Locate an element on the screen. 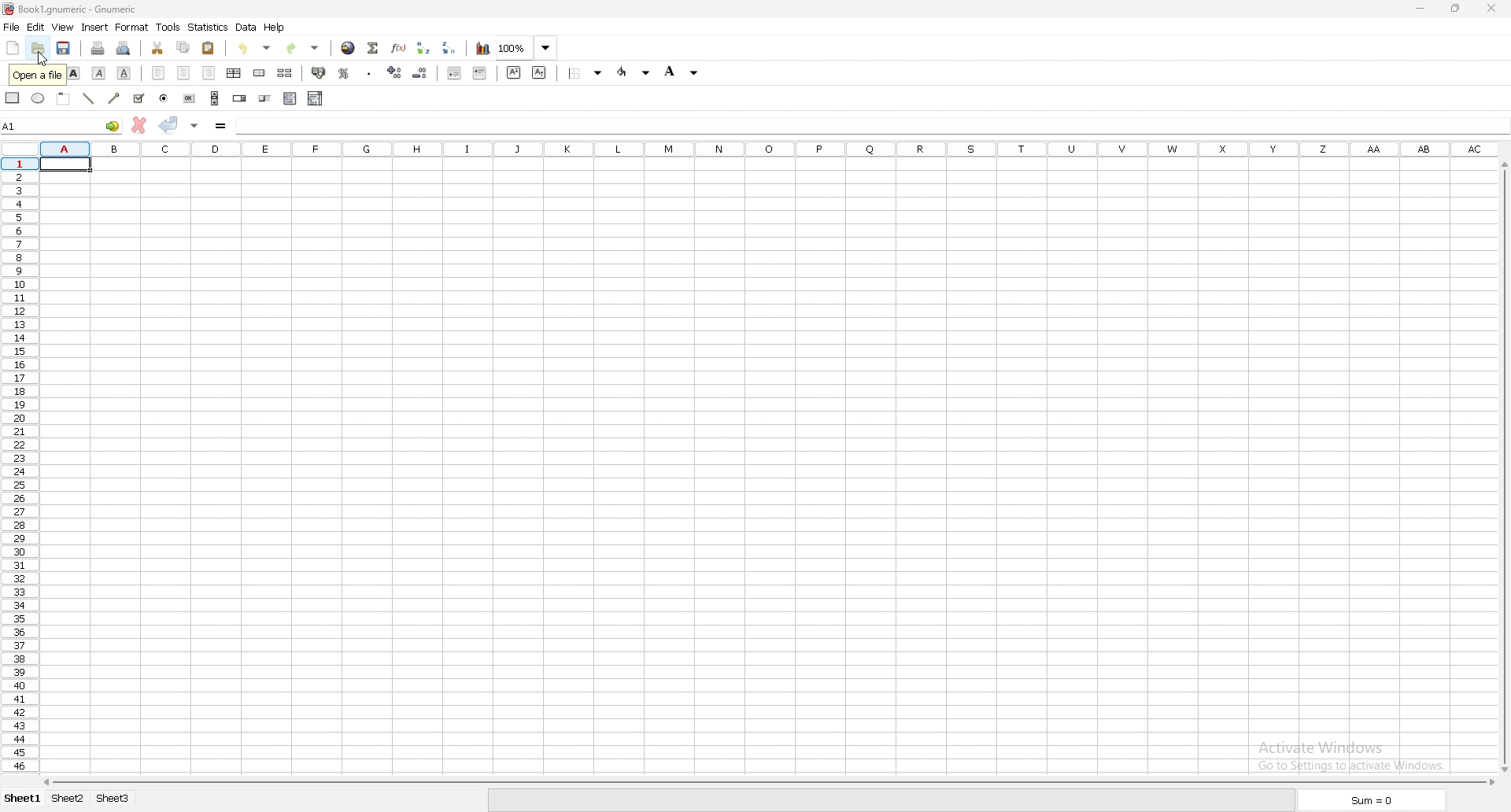  Active Windows Go to Settings Windows is located at coordinates (1354, 751).